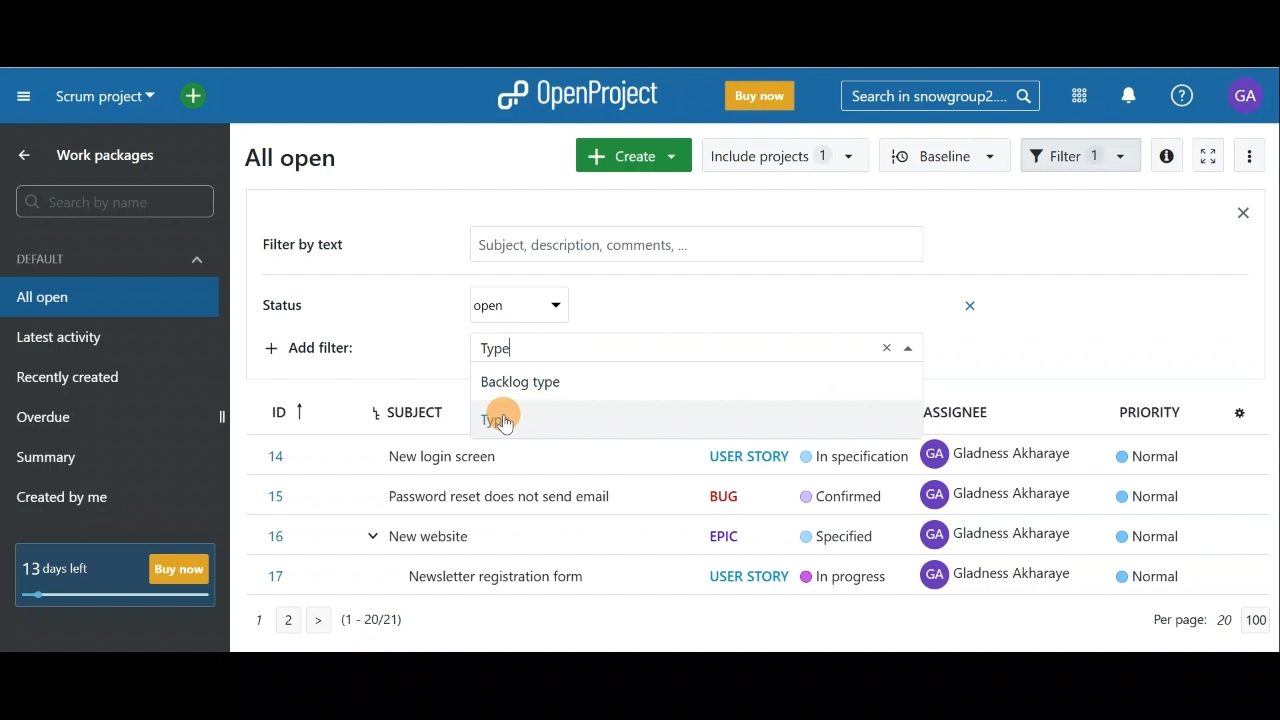  I want to click on Summary, so click(47, 460).